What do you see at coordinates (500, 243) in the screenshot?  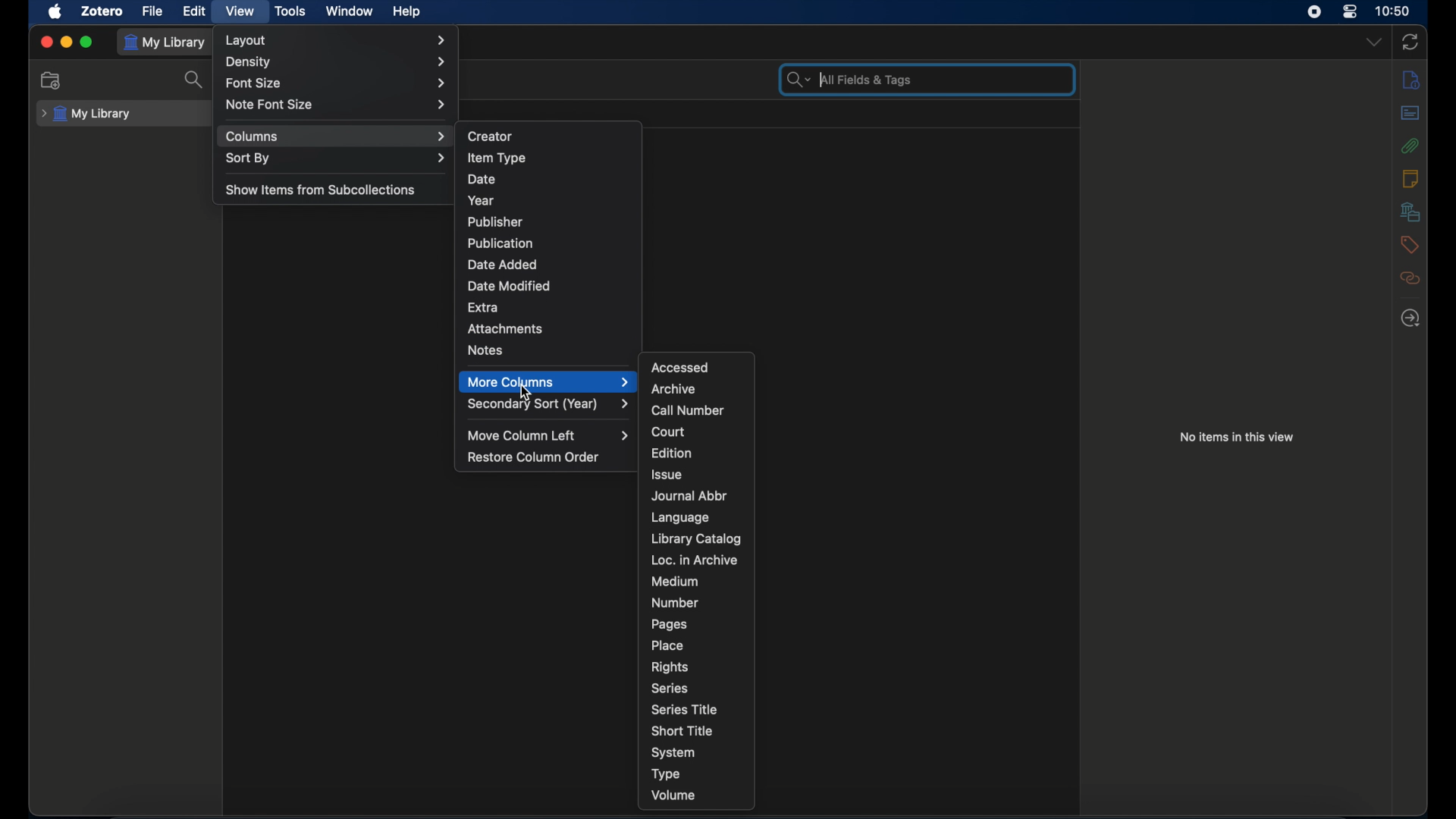 I see `publication` at bounding box center [500, 243].